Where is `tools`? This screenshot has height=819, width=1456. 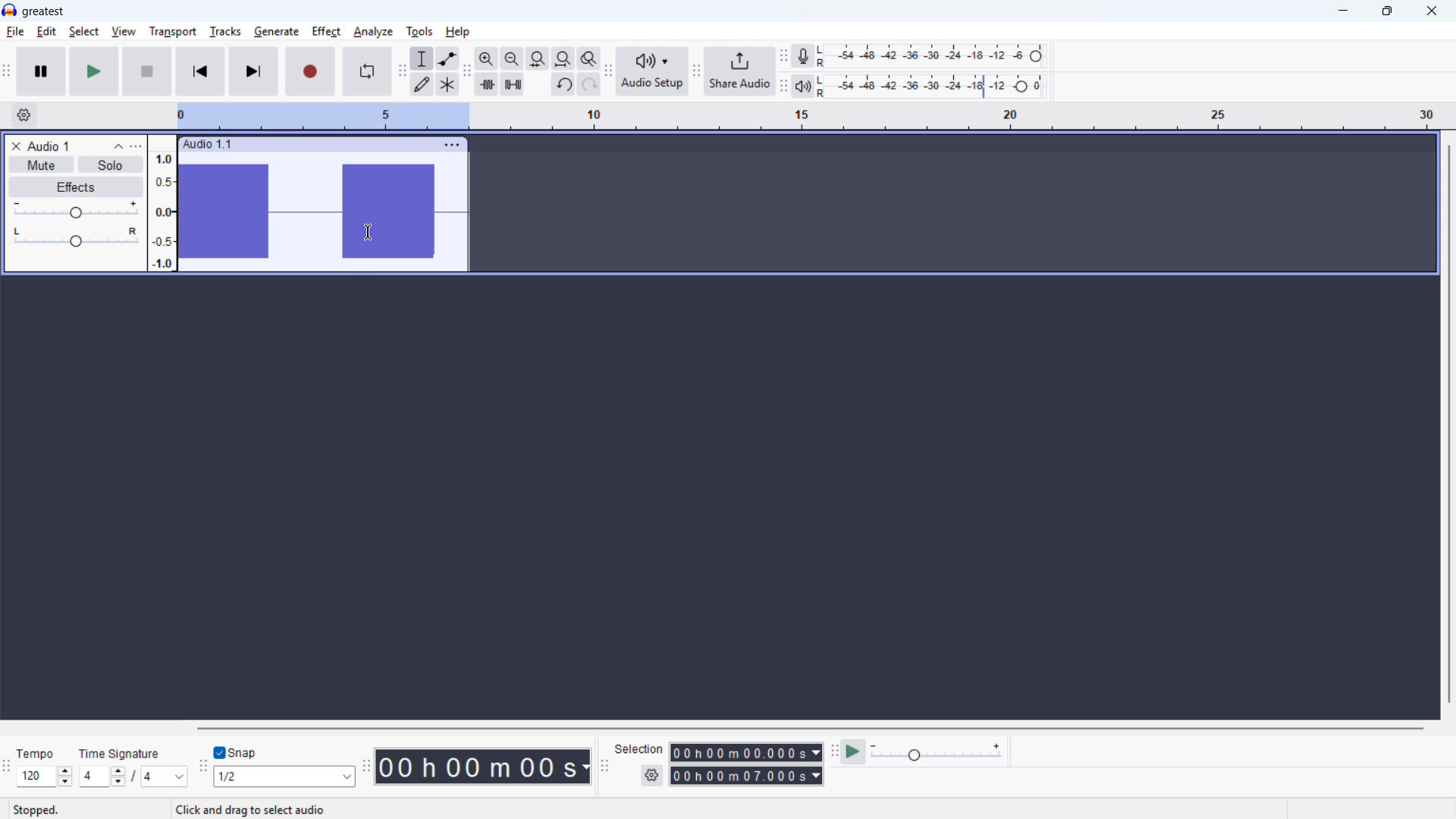
tools is located at coordinates (419, 32).